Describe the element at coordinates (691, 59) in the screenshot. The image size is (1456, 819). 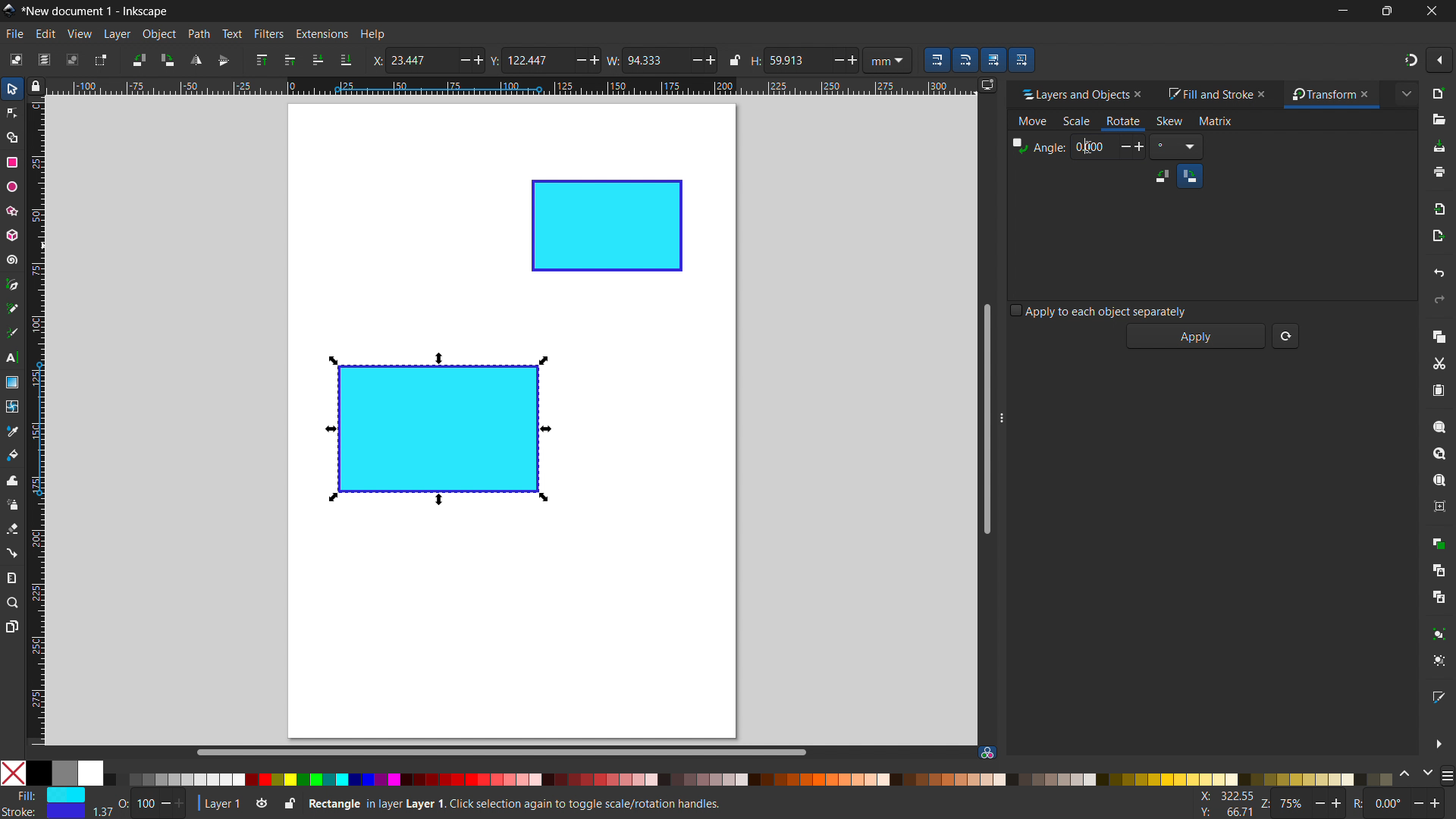
I see `Decrease/minus` at that location.